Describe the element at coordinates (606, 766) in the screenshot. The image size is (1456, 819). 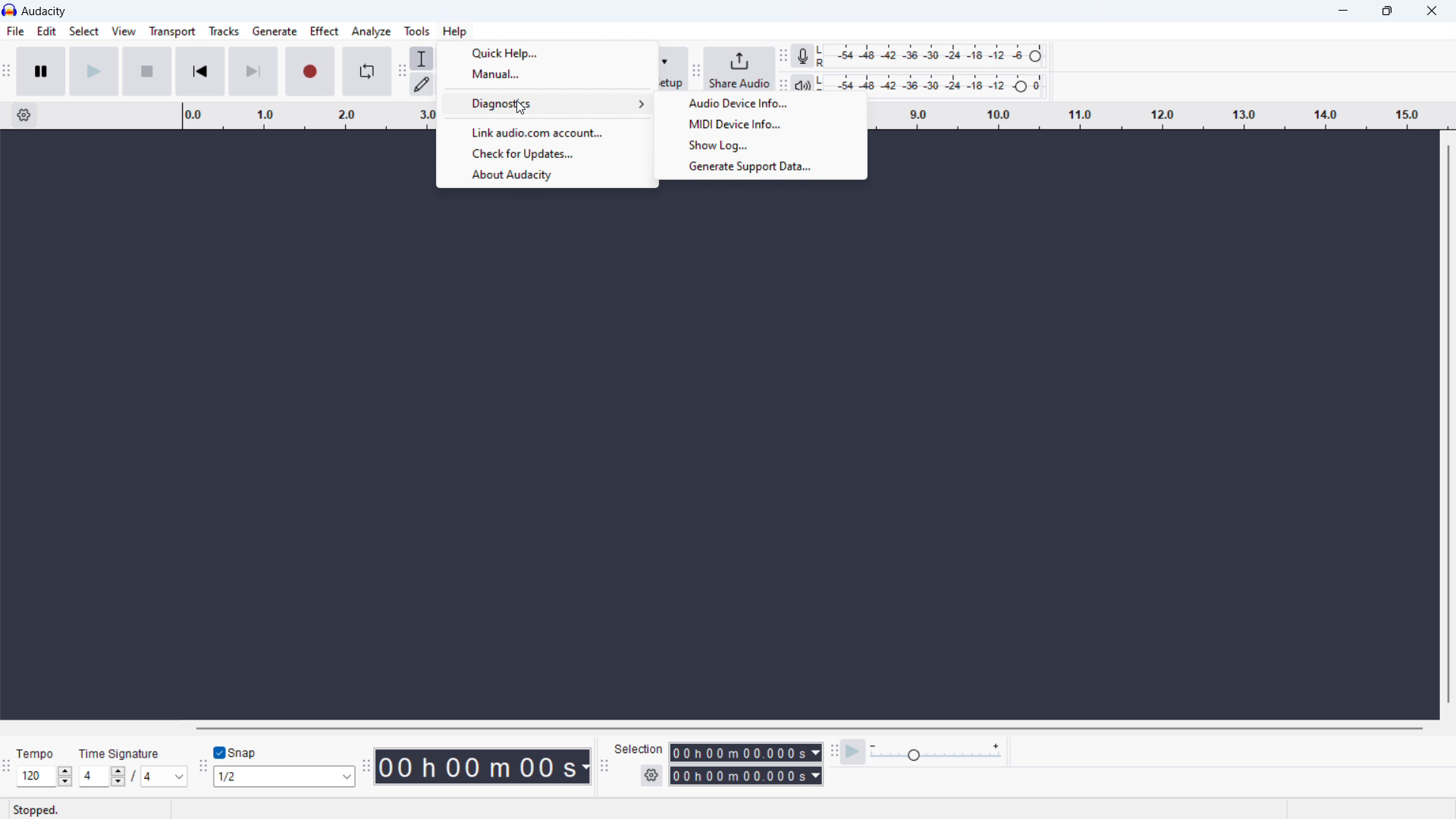
I see `selection toolbar` at that location.